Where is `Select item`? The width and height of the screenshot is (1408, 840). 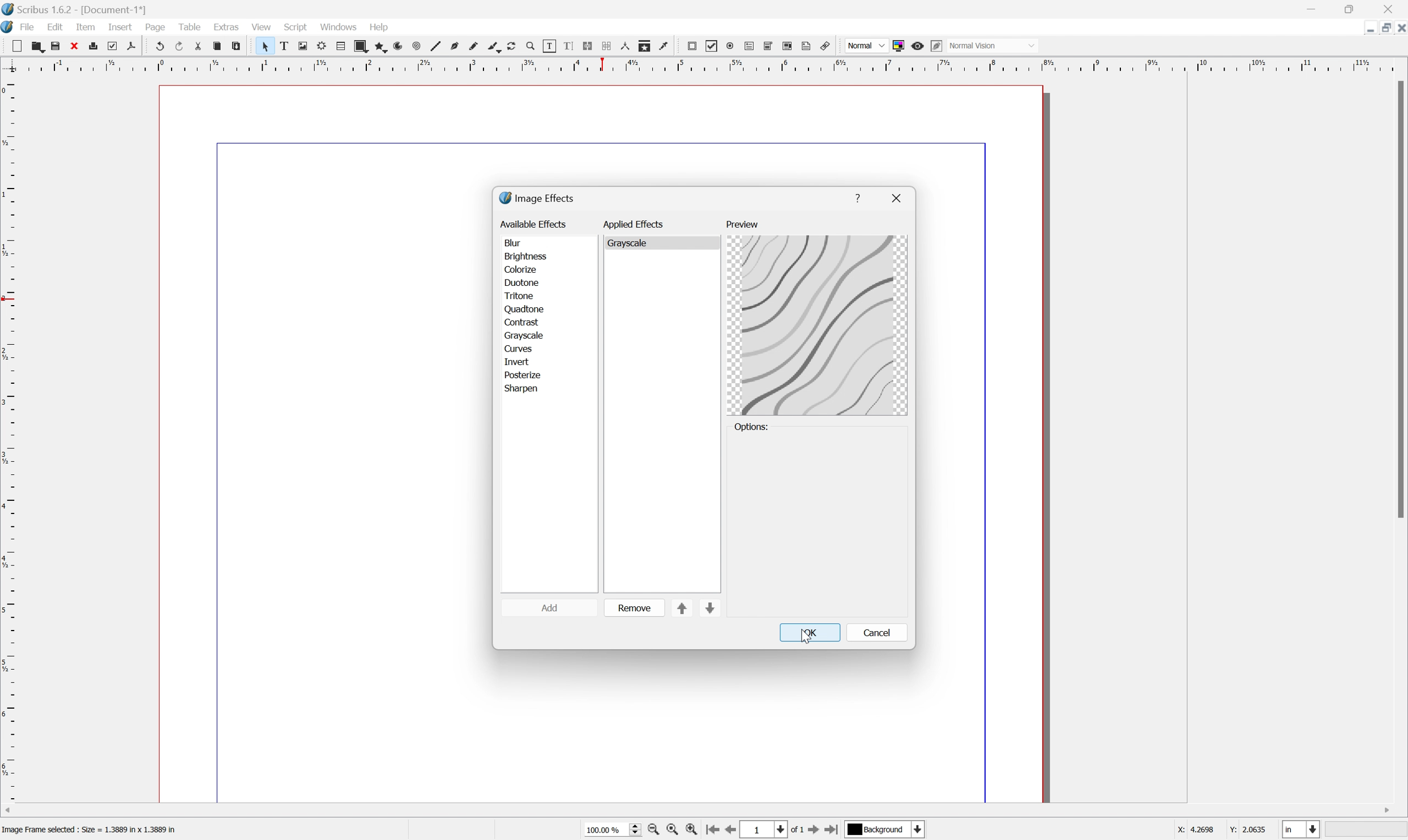
Select item is located at coordinates (269, 47).